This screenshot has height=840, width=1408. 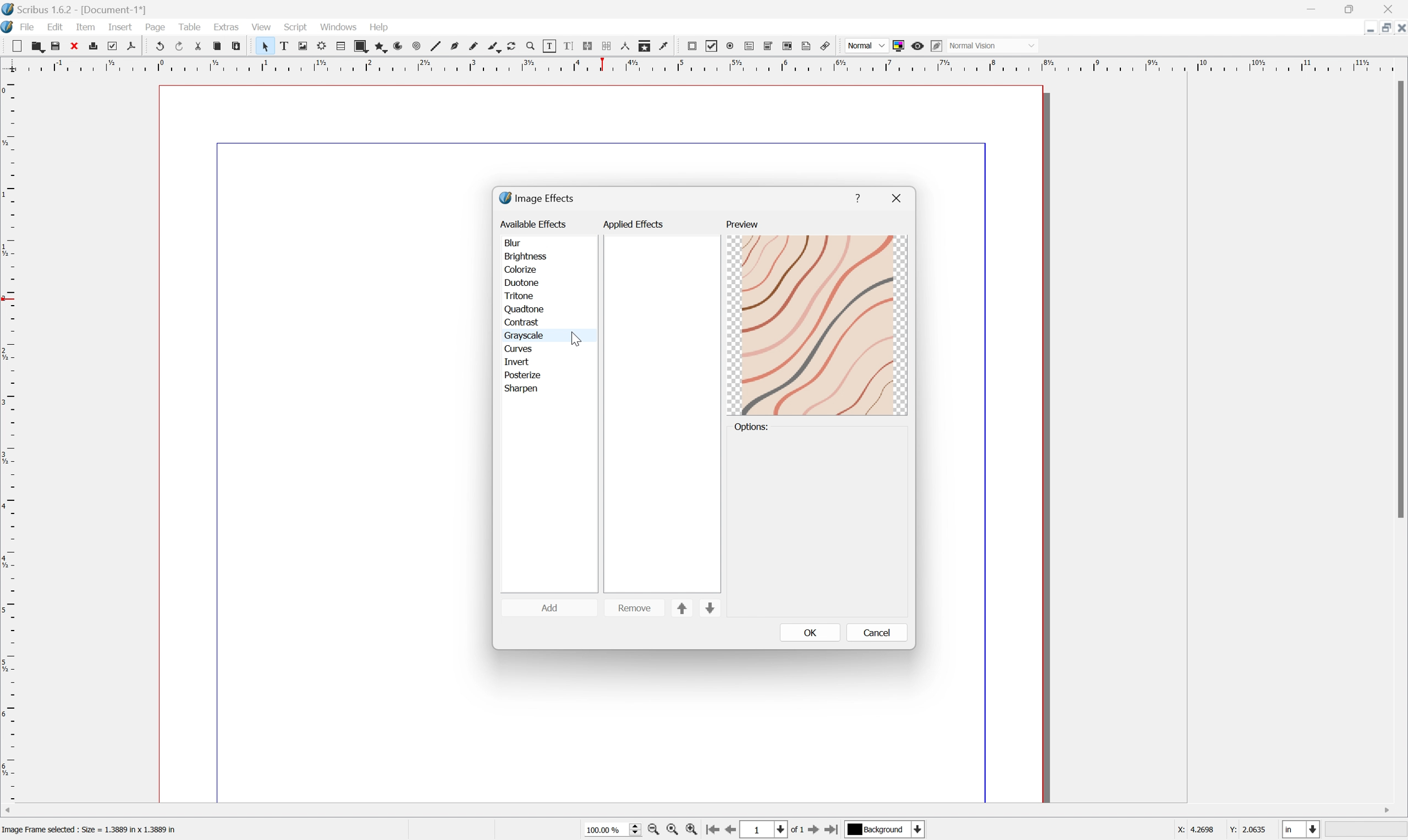 What do you see at coordinates (345, 46) in the screenshot?
I see `Table` at bounding box center [345, 46].